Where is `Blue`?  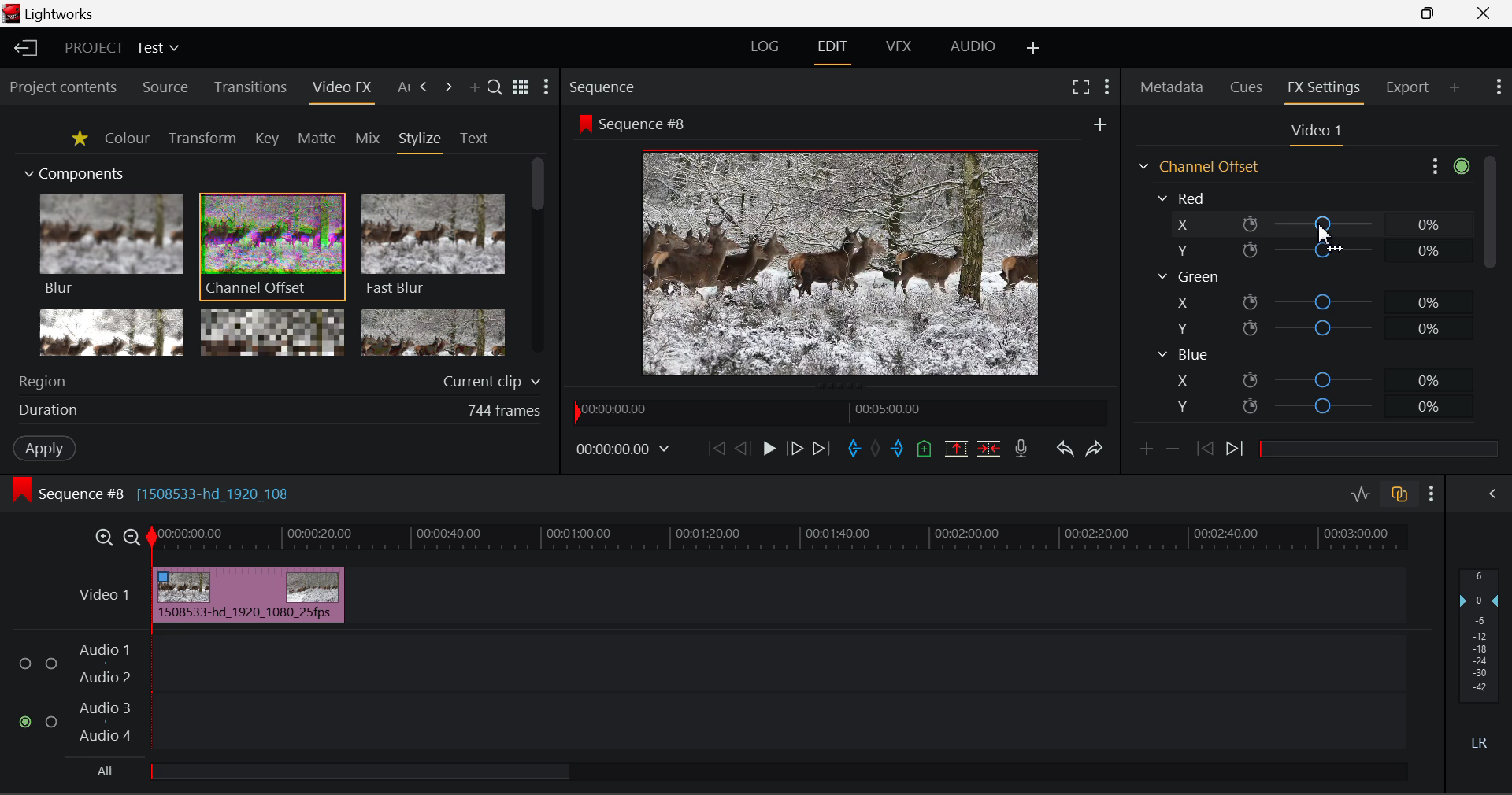
Blue is located at coordinates (1183, 355).